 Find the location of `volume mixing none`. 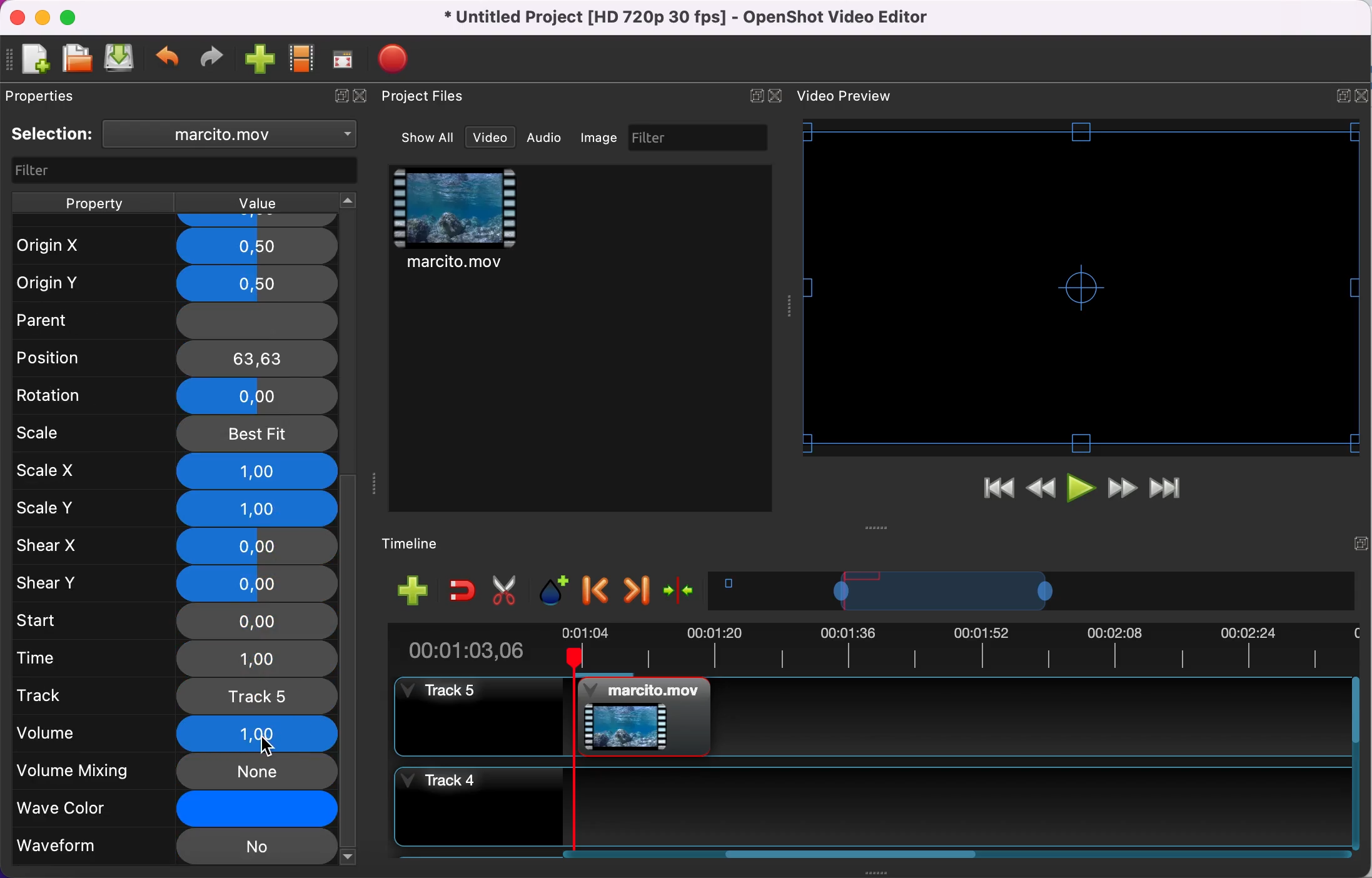

volume mixing none is located at coordinates (175, 772).